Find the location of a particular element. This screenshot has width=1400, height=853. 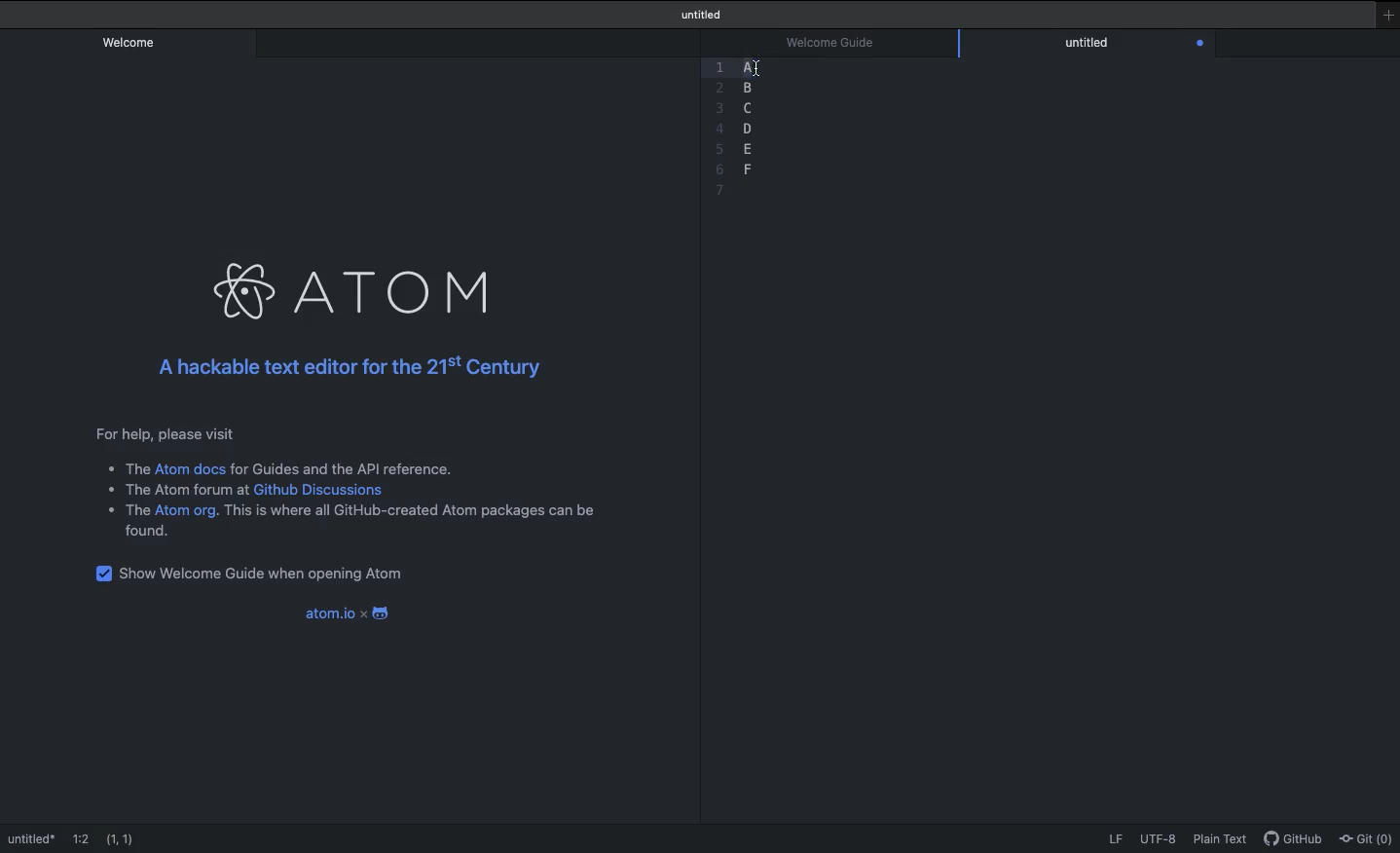

Close is located at coordinates (1200, 44).